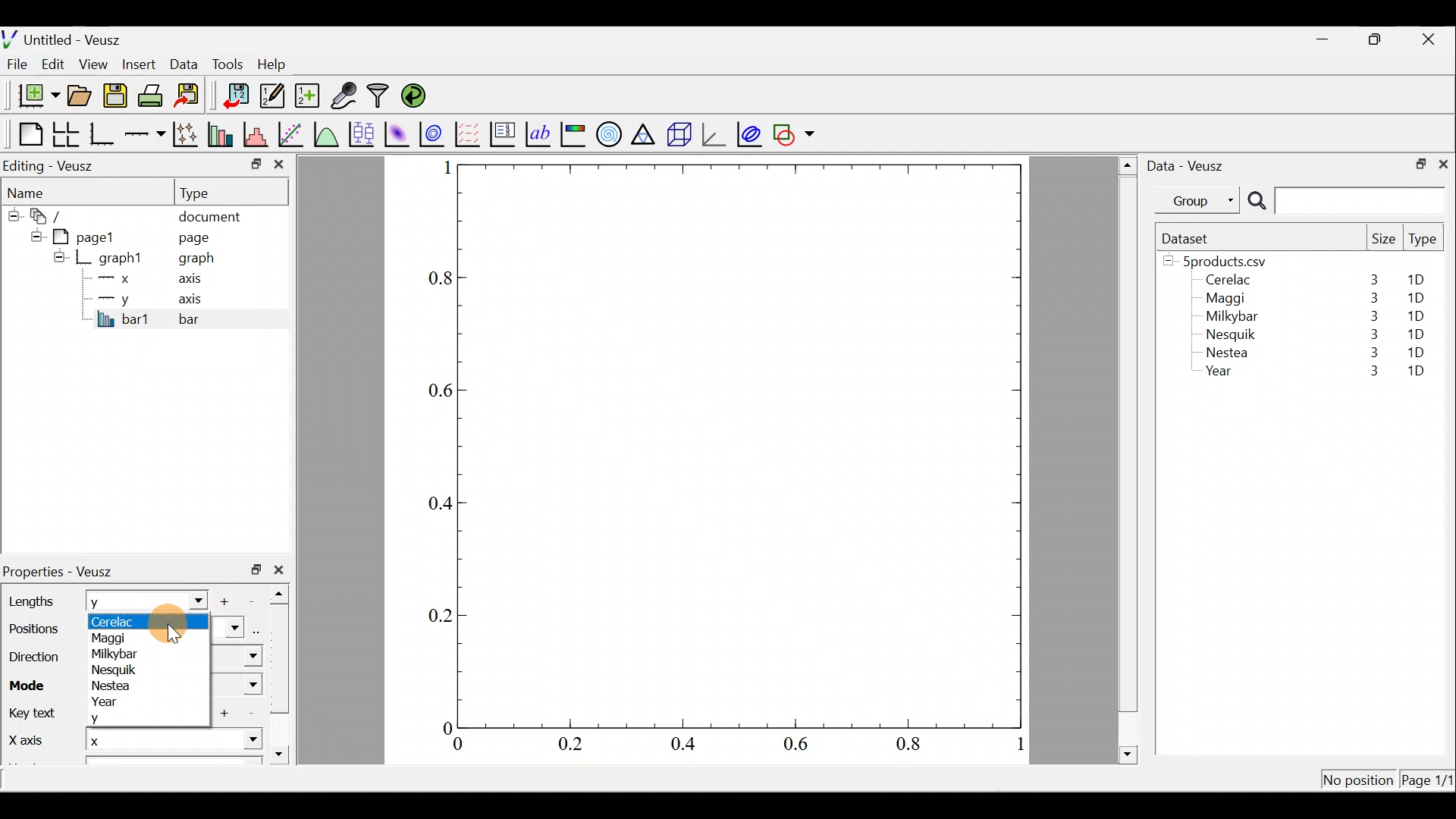 The image size is (1456, 819). I want to click on Mode, so click(32, 682).